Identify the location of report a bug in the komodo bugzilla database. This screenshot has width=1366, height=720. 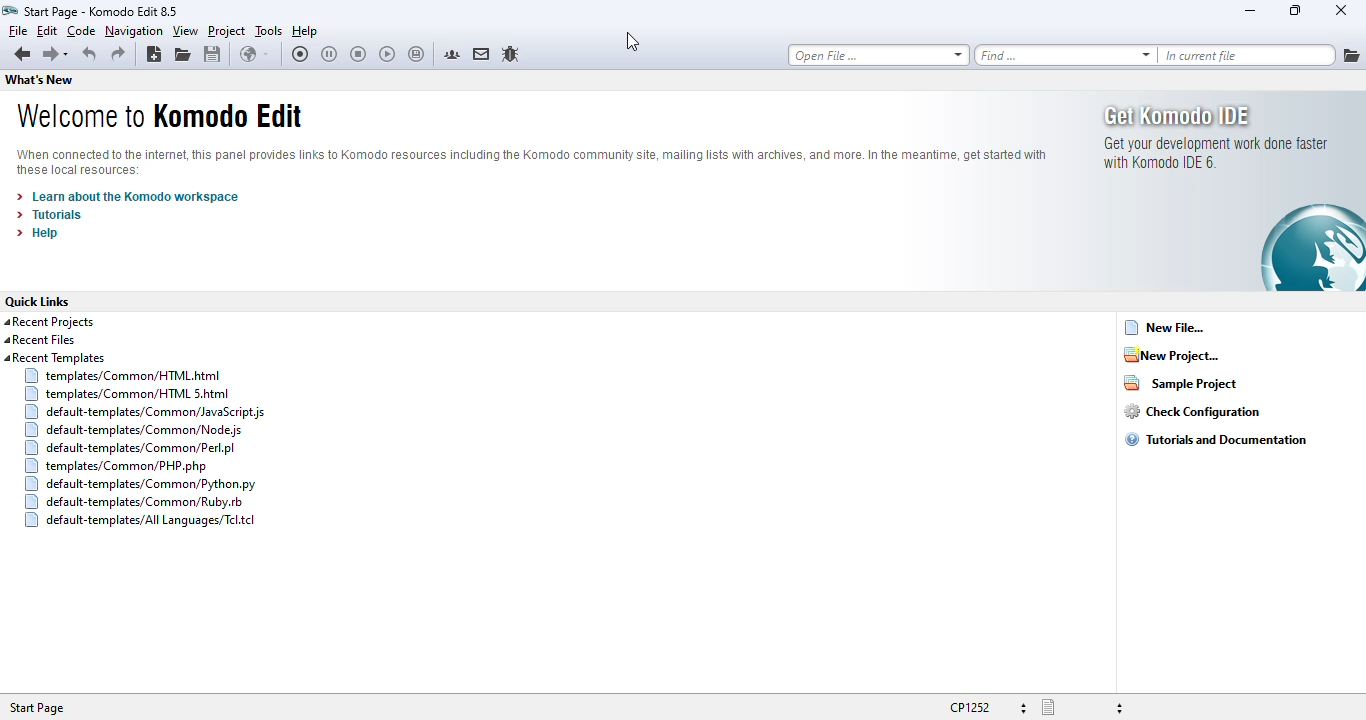
(510, 54).